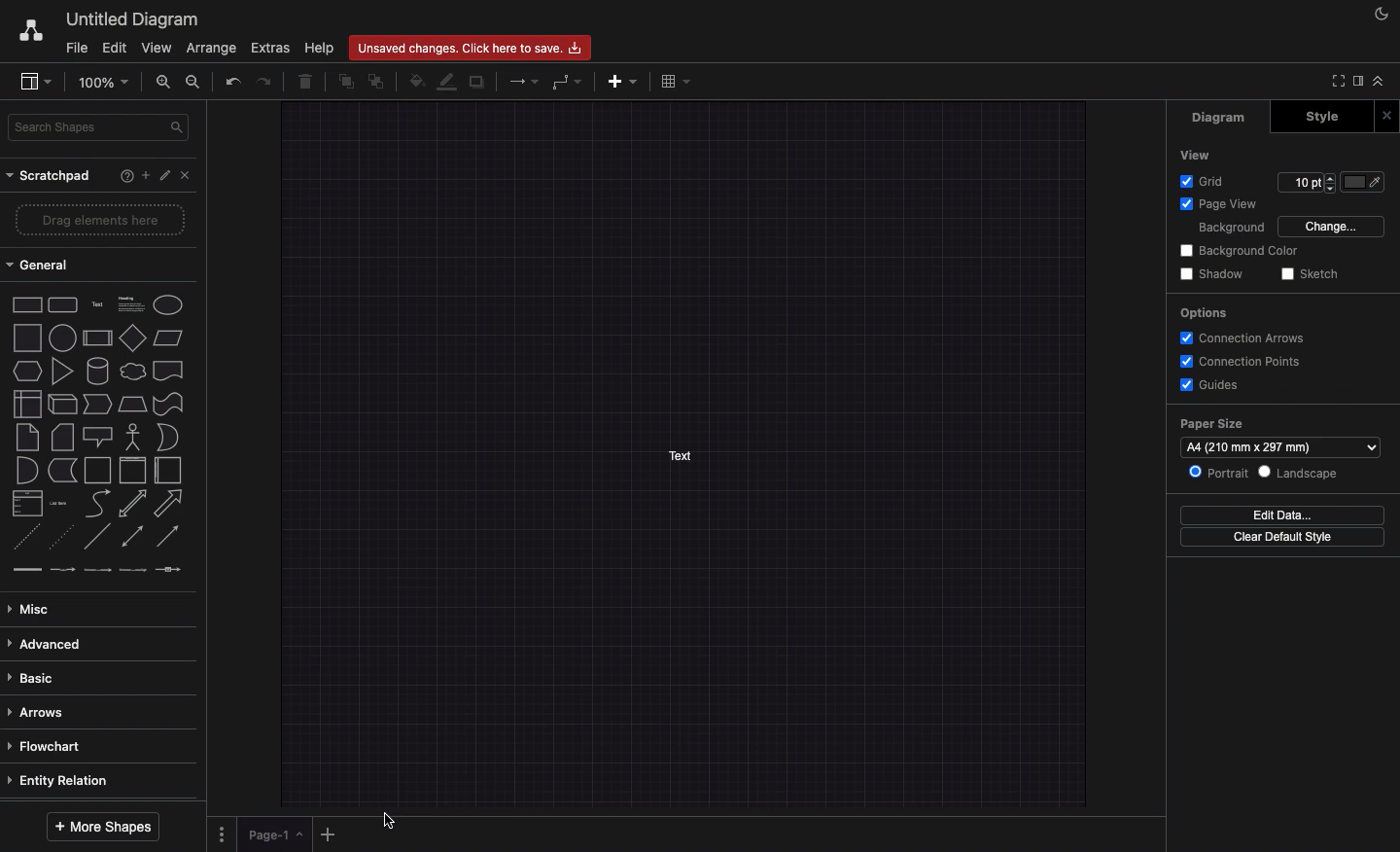 Image resolution: width=1400 pixels, height=852 pixels. I want to click on Guides, so click(1215, 385).